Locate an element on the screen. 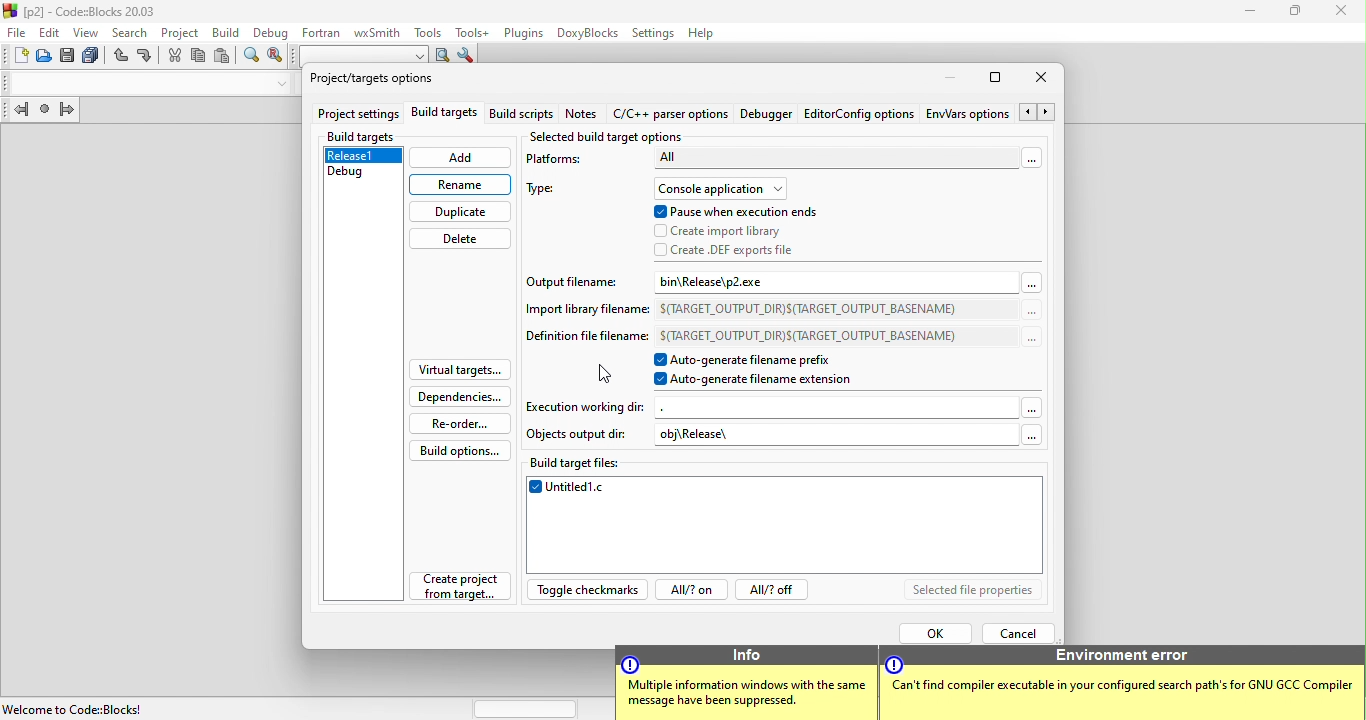 Image resolution: width=1366 pixels, height=720 pixels. build targets is located at coordinates (363, 137).